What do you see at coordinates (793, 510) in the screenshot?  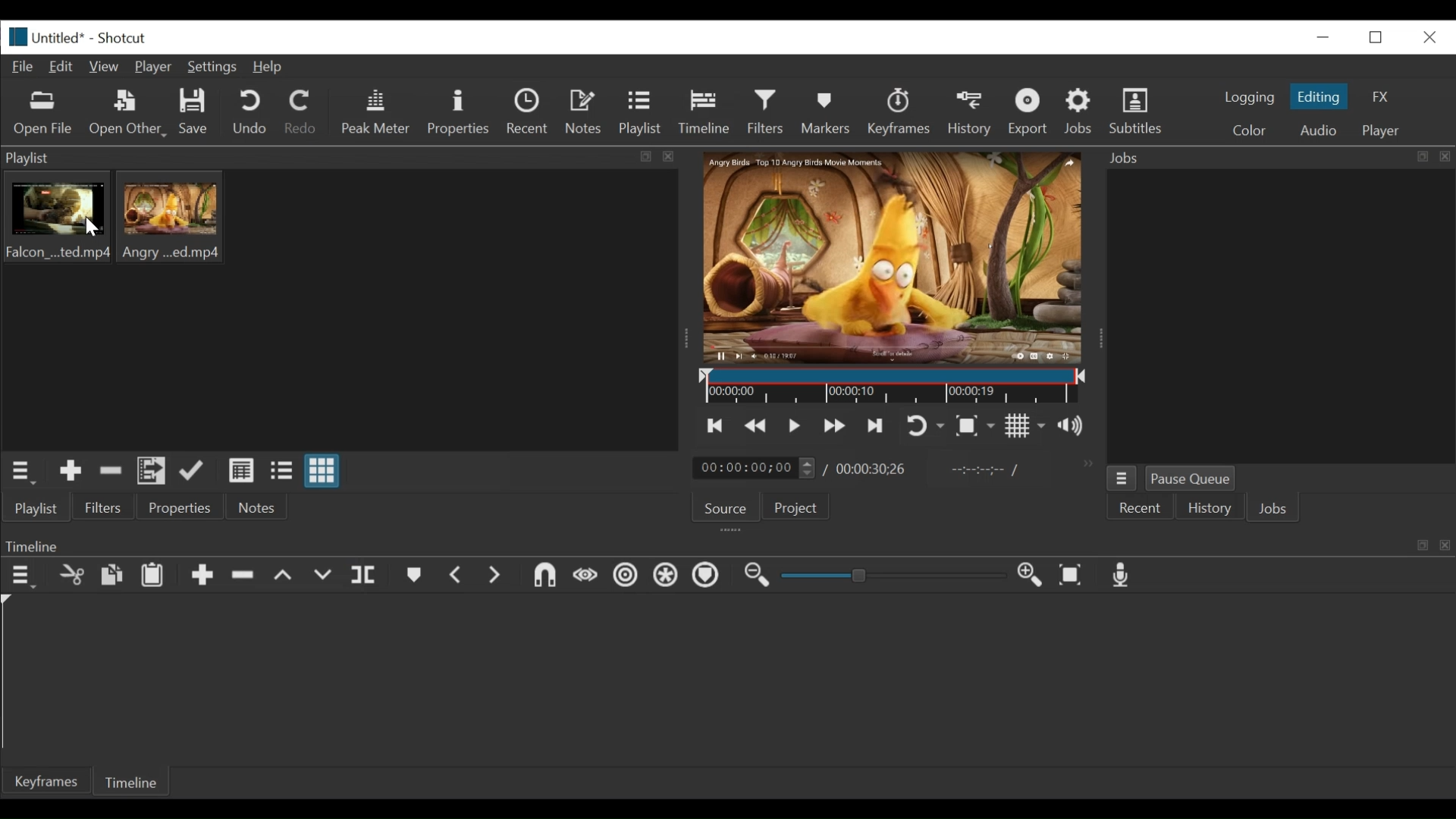 I see `Project` at bounding box center [793, 510].